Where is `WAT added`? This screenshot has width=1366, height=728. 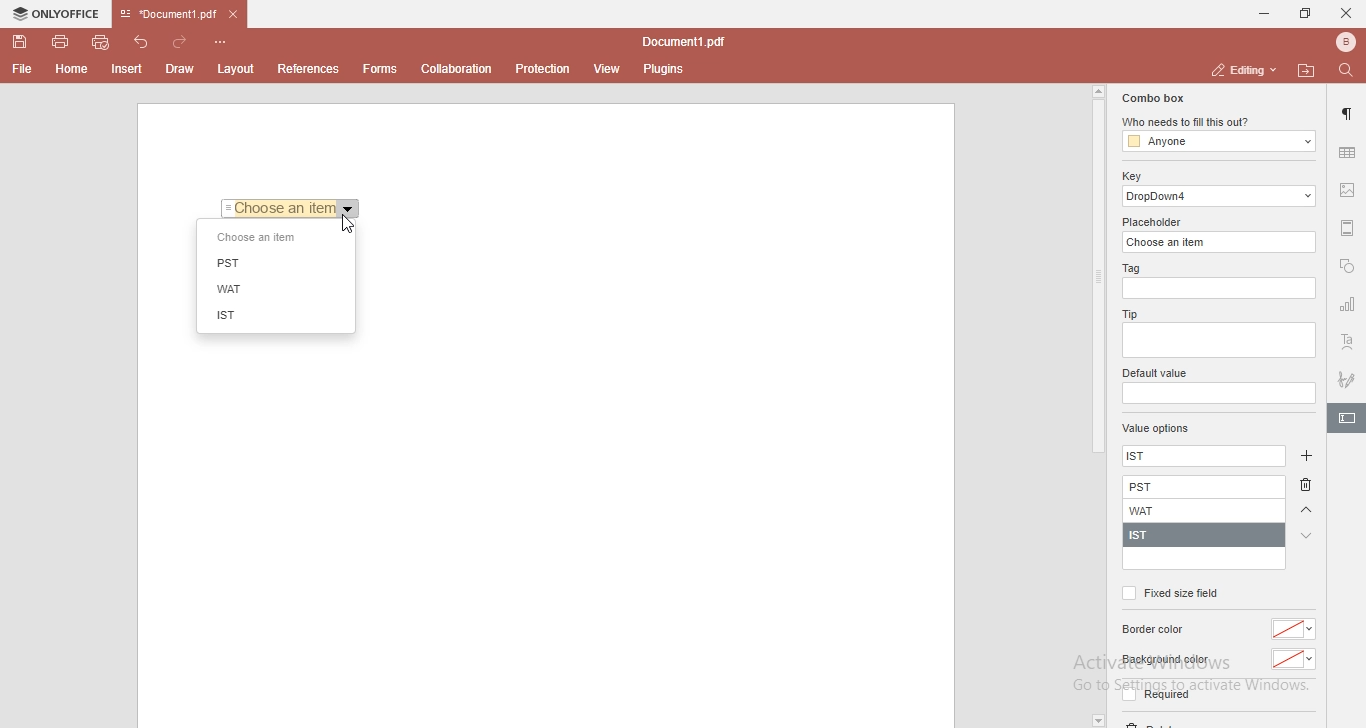
WAT added is located at coordinates (1205, 511).